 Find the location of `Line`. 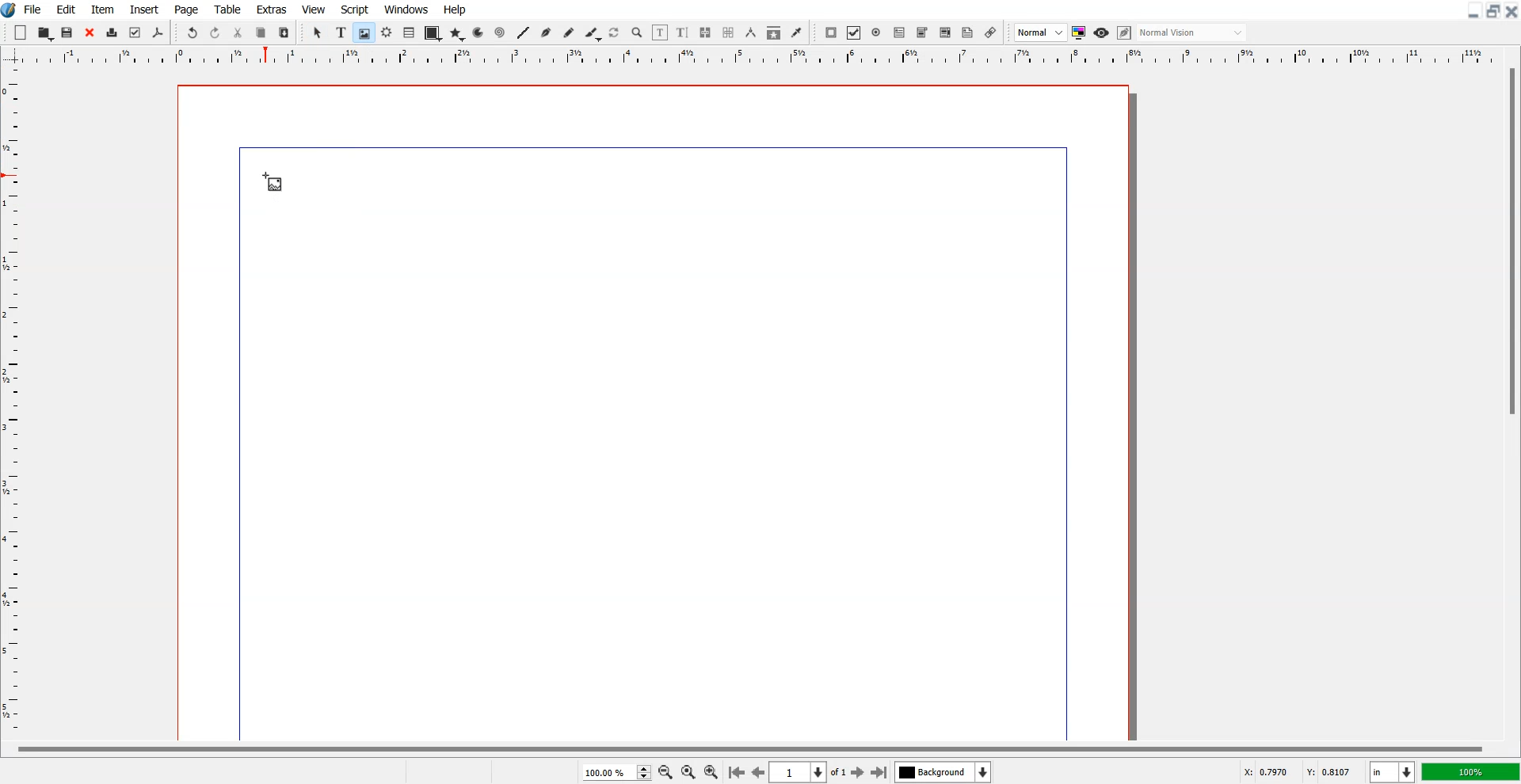

Line is located at coordinates (524, 32).